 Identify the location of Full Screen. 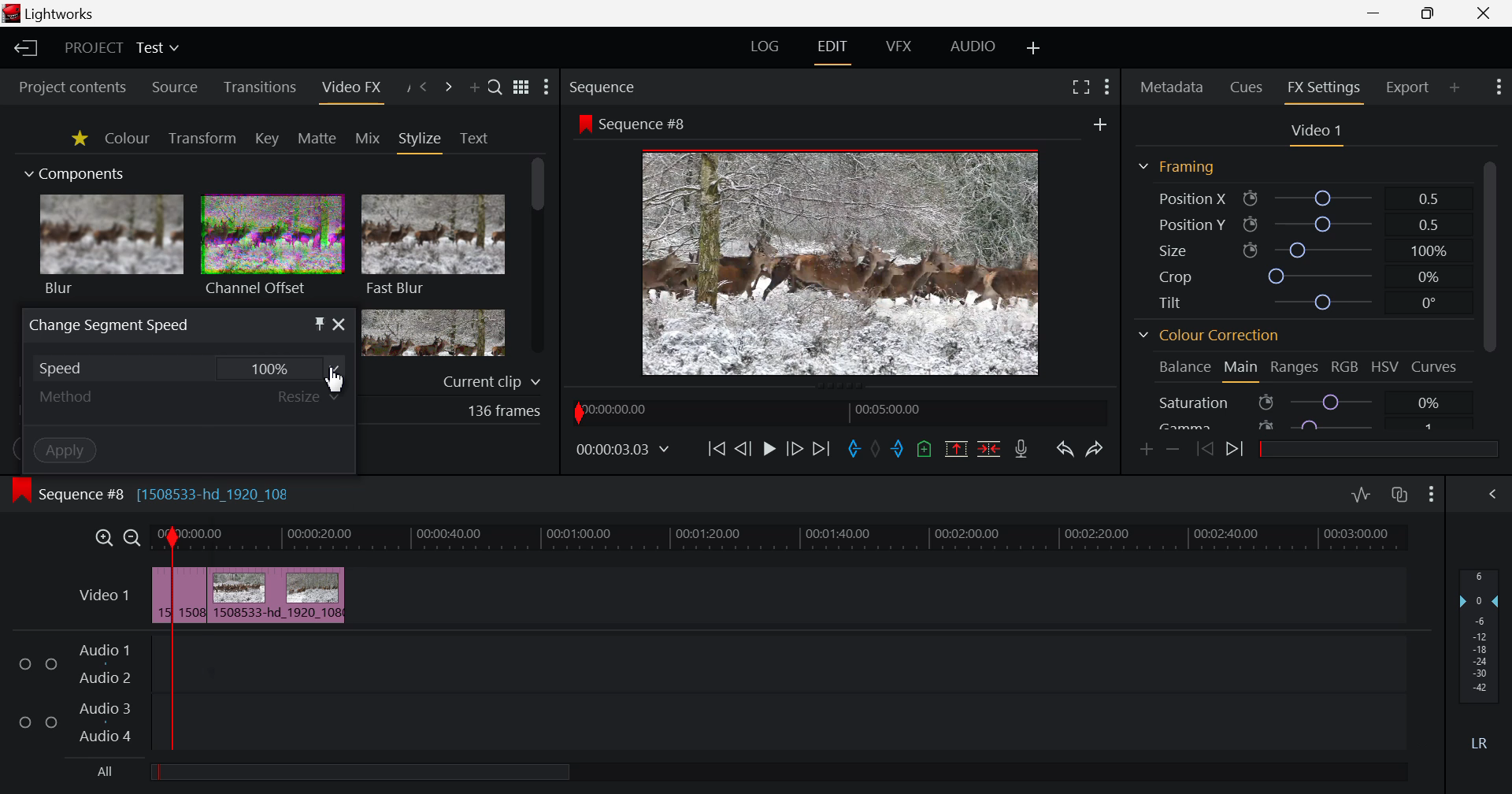
(1077, 90).